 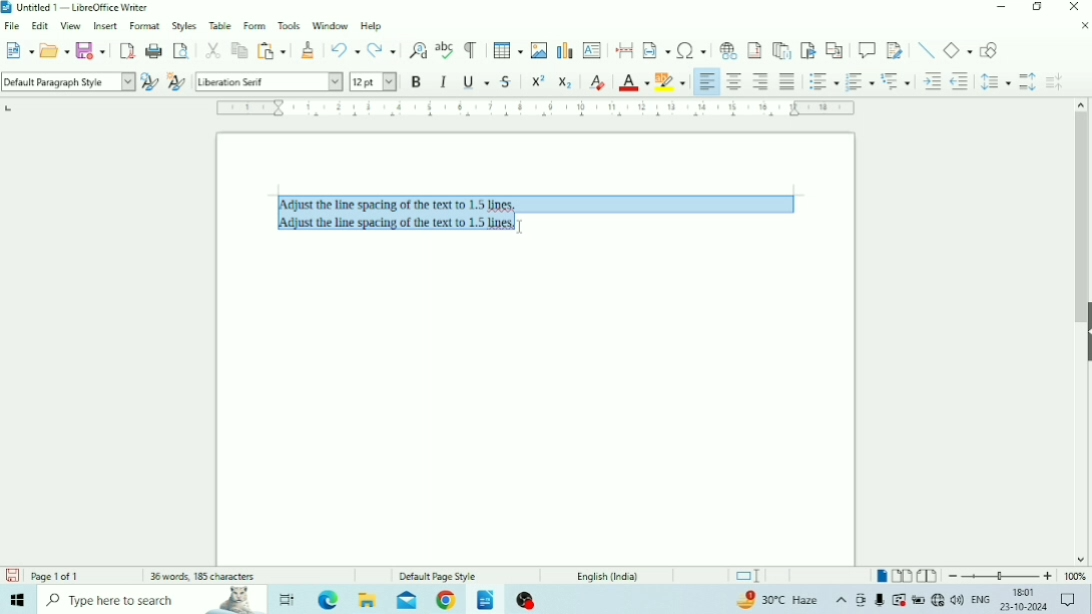 What do you see at coordinates (1085, 328) in the screenshot?
I see `Show` at bounding box center [1085, 328].